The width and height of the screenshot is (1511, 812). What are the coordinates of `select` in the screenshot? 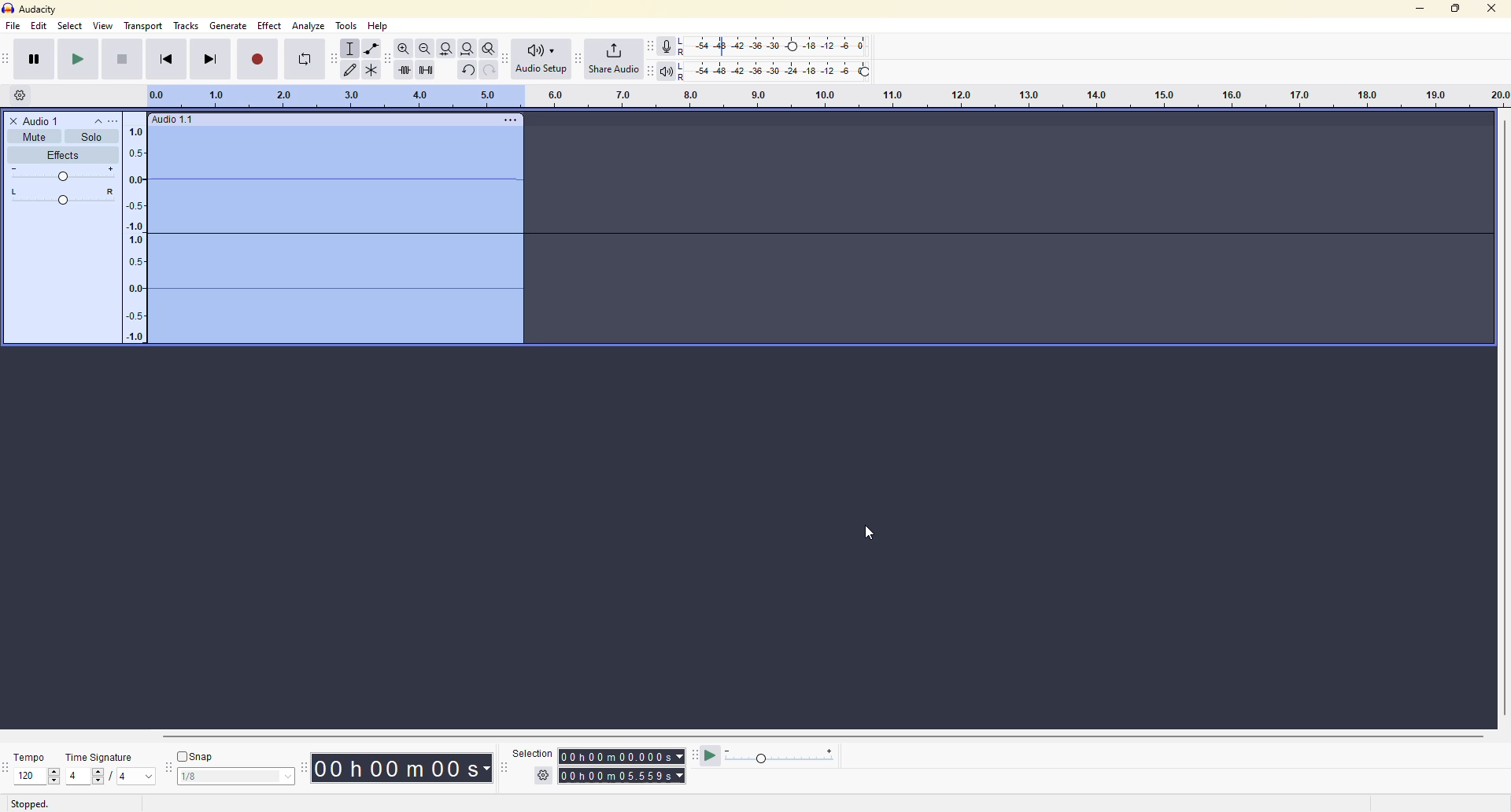 It's located at (101, 777).